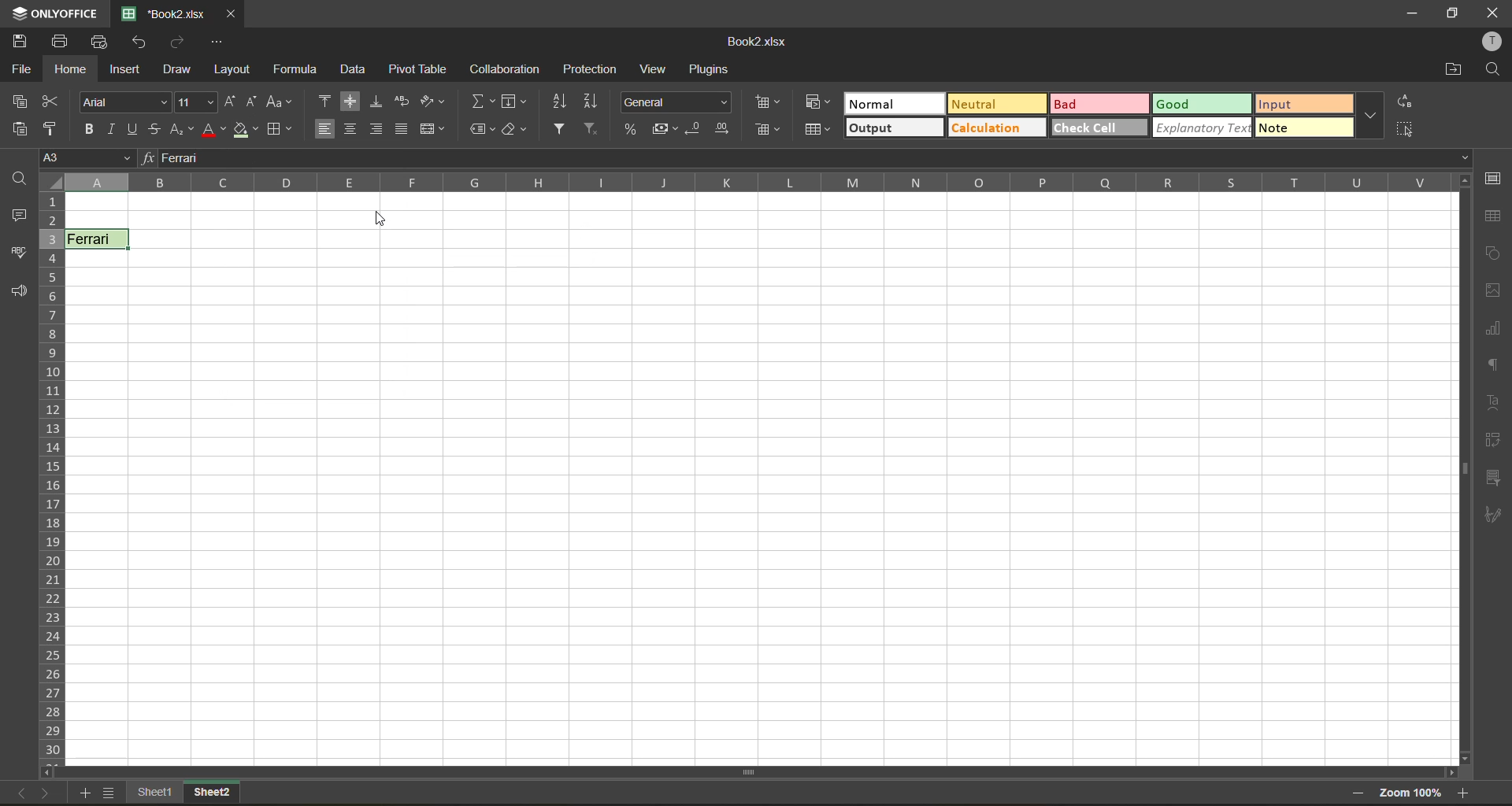 This screenshot has height=806, width=1512. I want to click on fill color changed, so click(246, 131).